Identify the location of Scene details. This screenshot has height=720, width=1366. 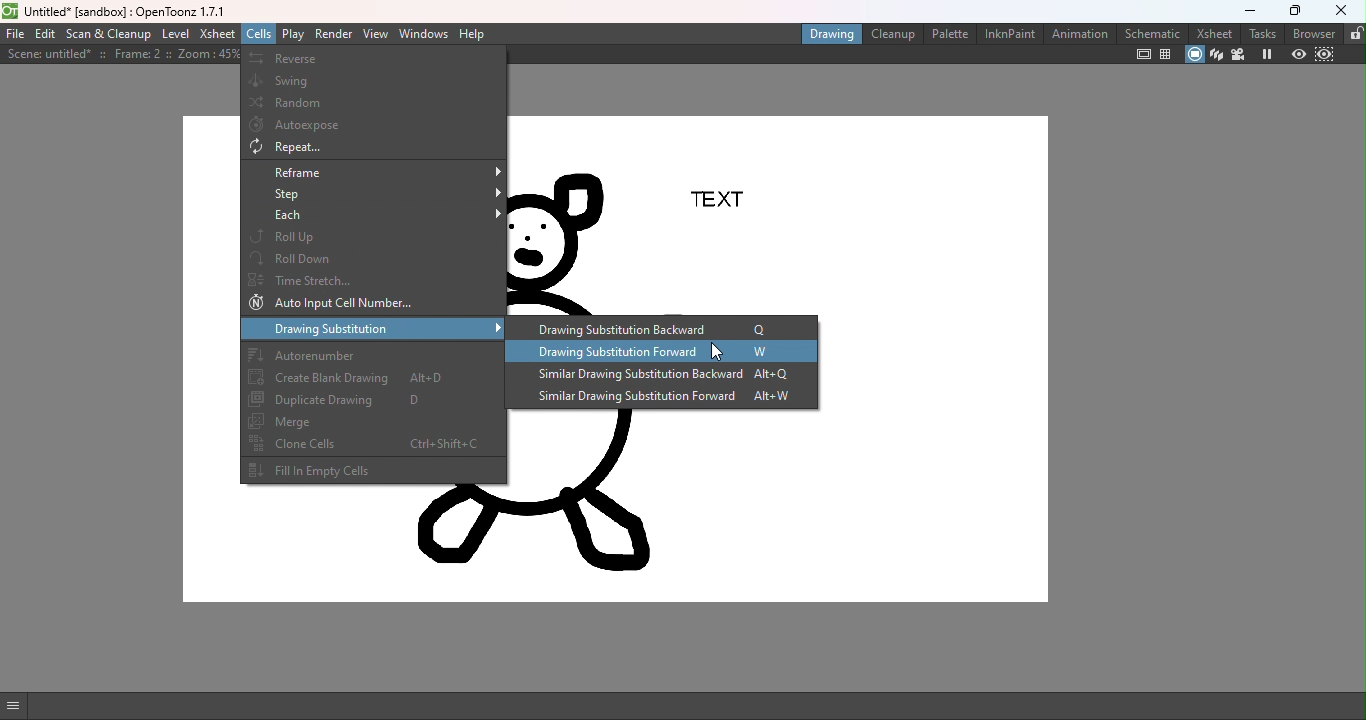
(120, 55).